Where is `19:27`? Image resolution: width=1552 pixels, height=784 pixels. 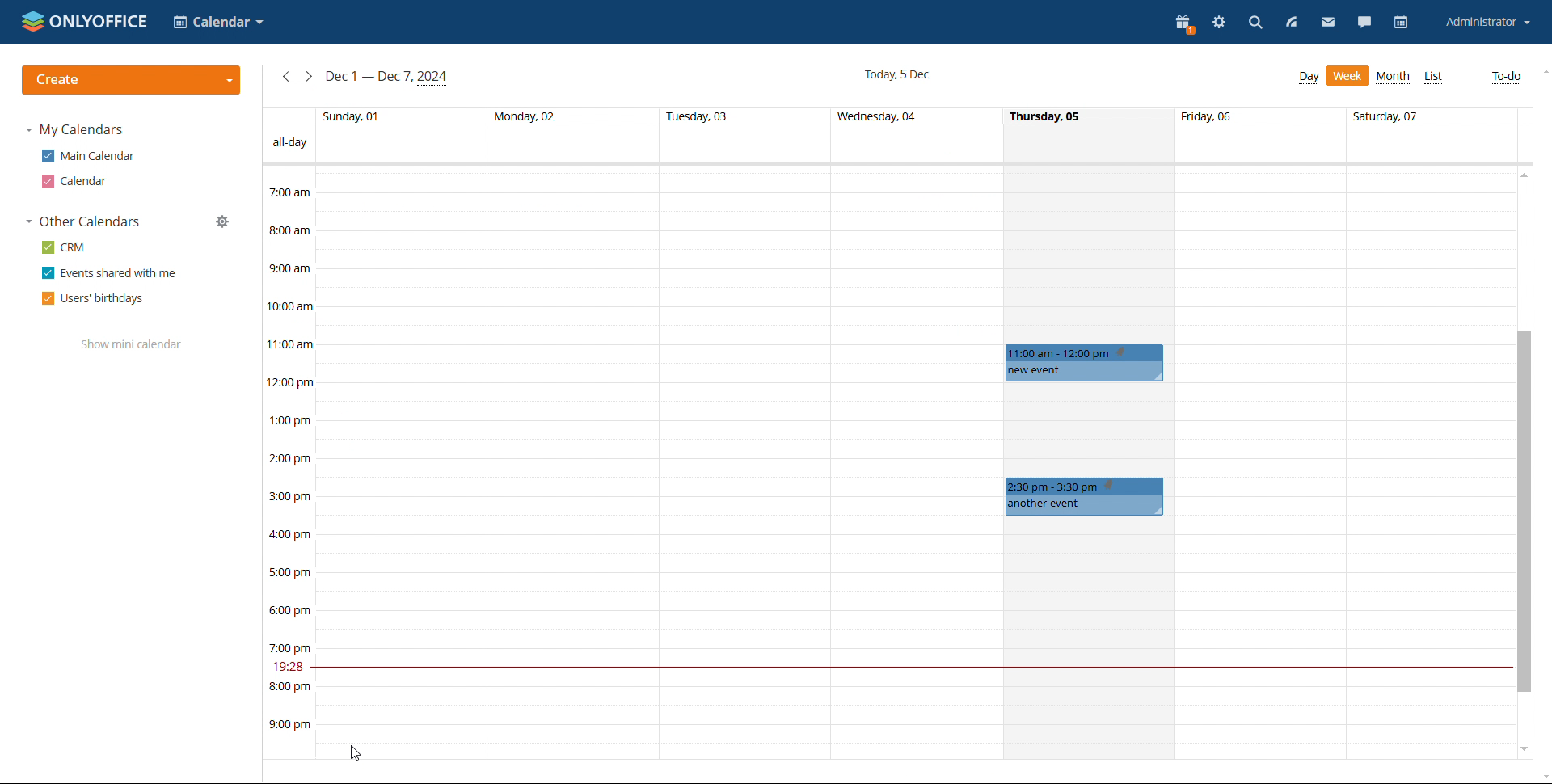
19:27 is located at coordinates (285, 665).